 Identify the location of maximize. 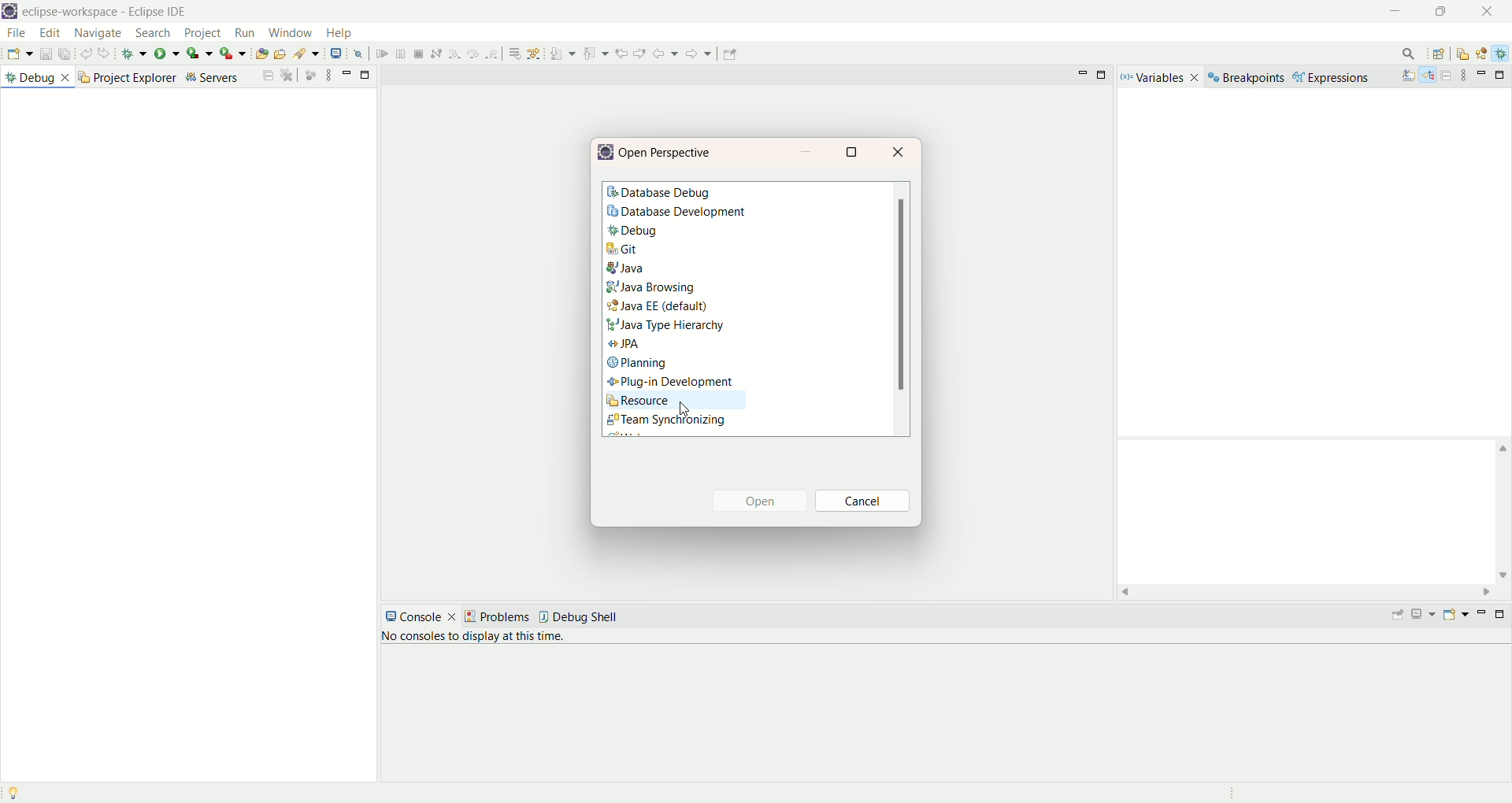
(289, 73).